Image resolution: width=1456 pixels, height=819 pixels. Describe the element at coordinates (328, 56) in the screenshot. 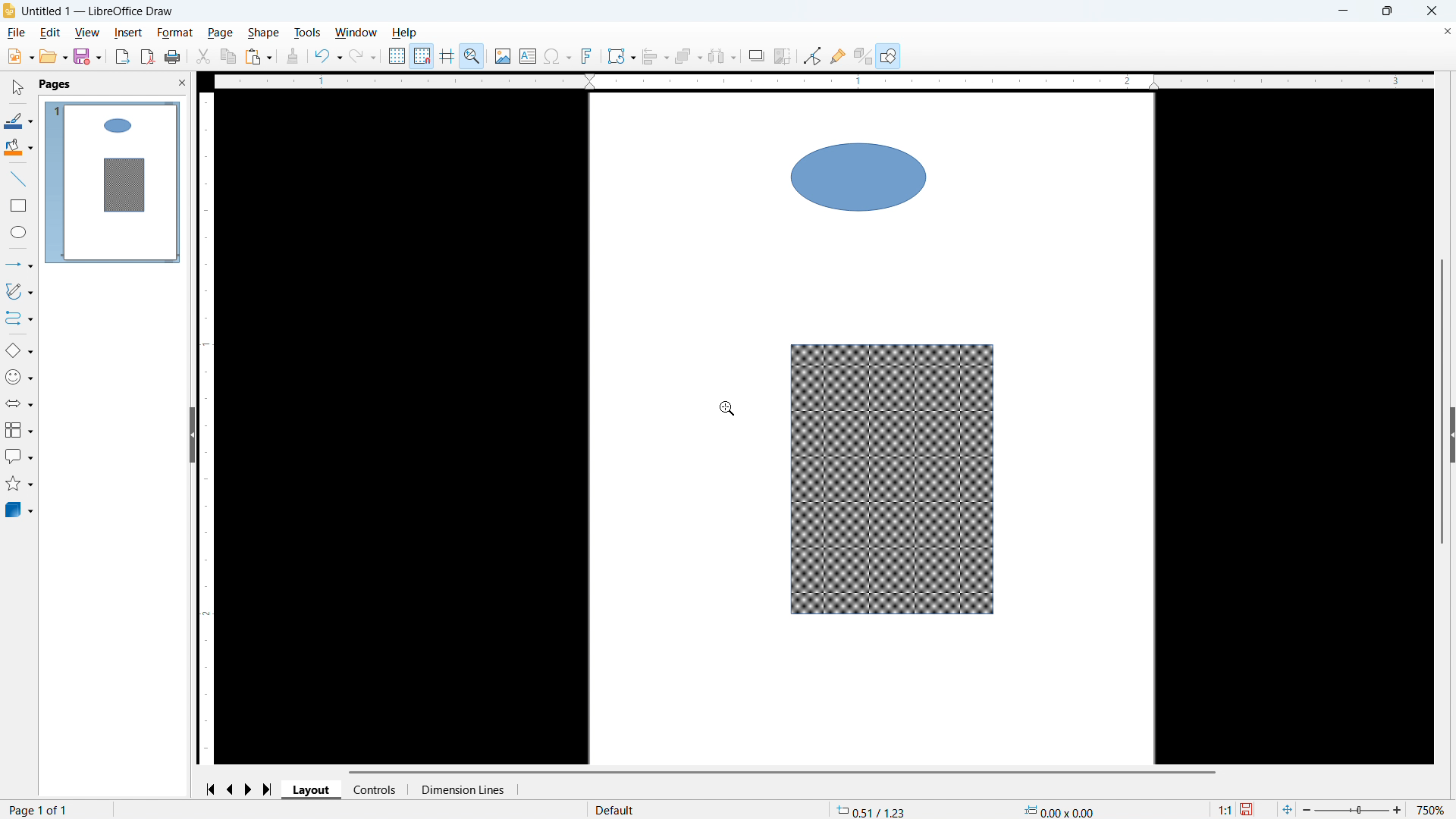

I see `Undo ` at that location.